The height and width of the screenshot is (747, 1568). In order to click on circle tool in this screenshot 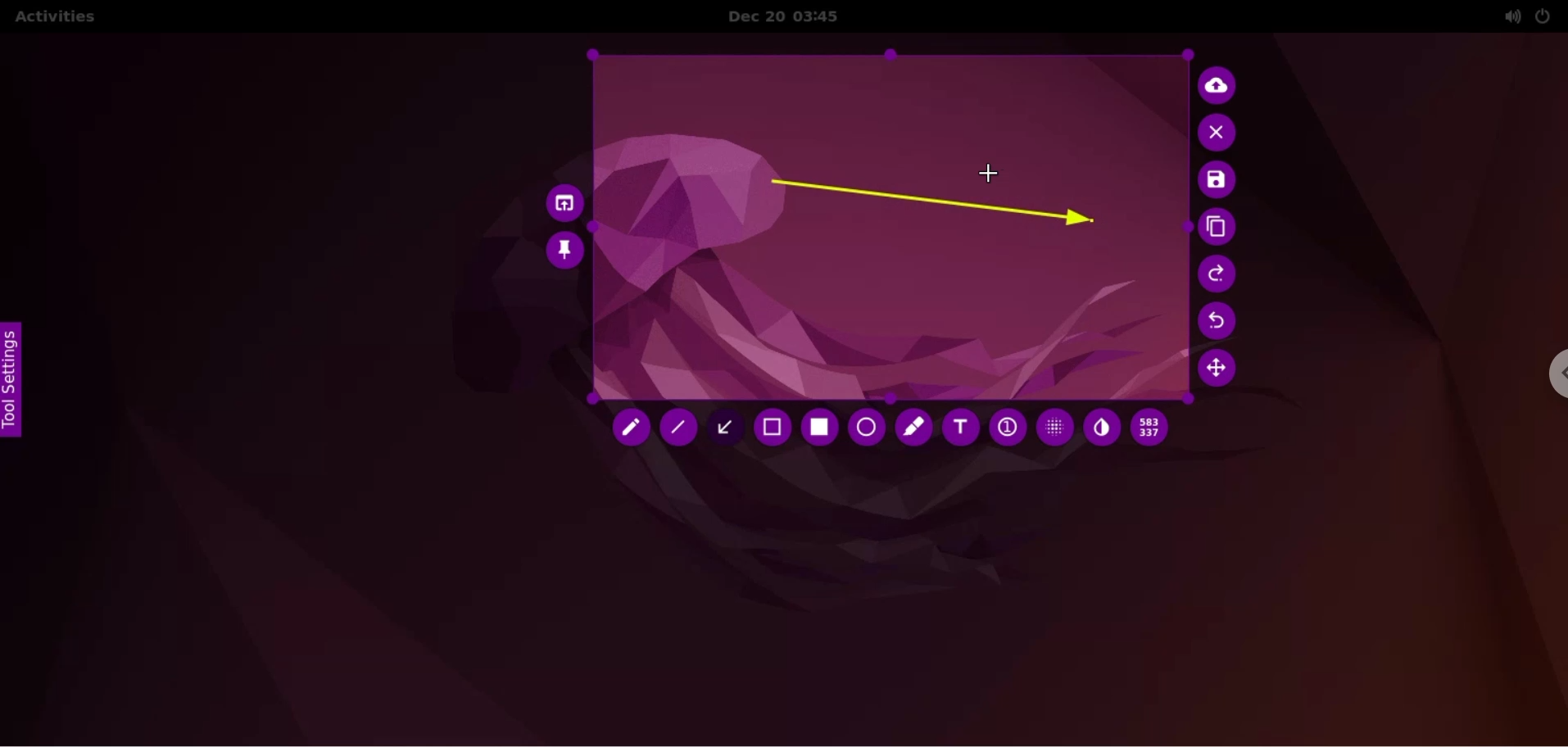, I will do `click(864, 428)`.